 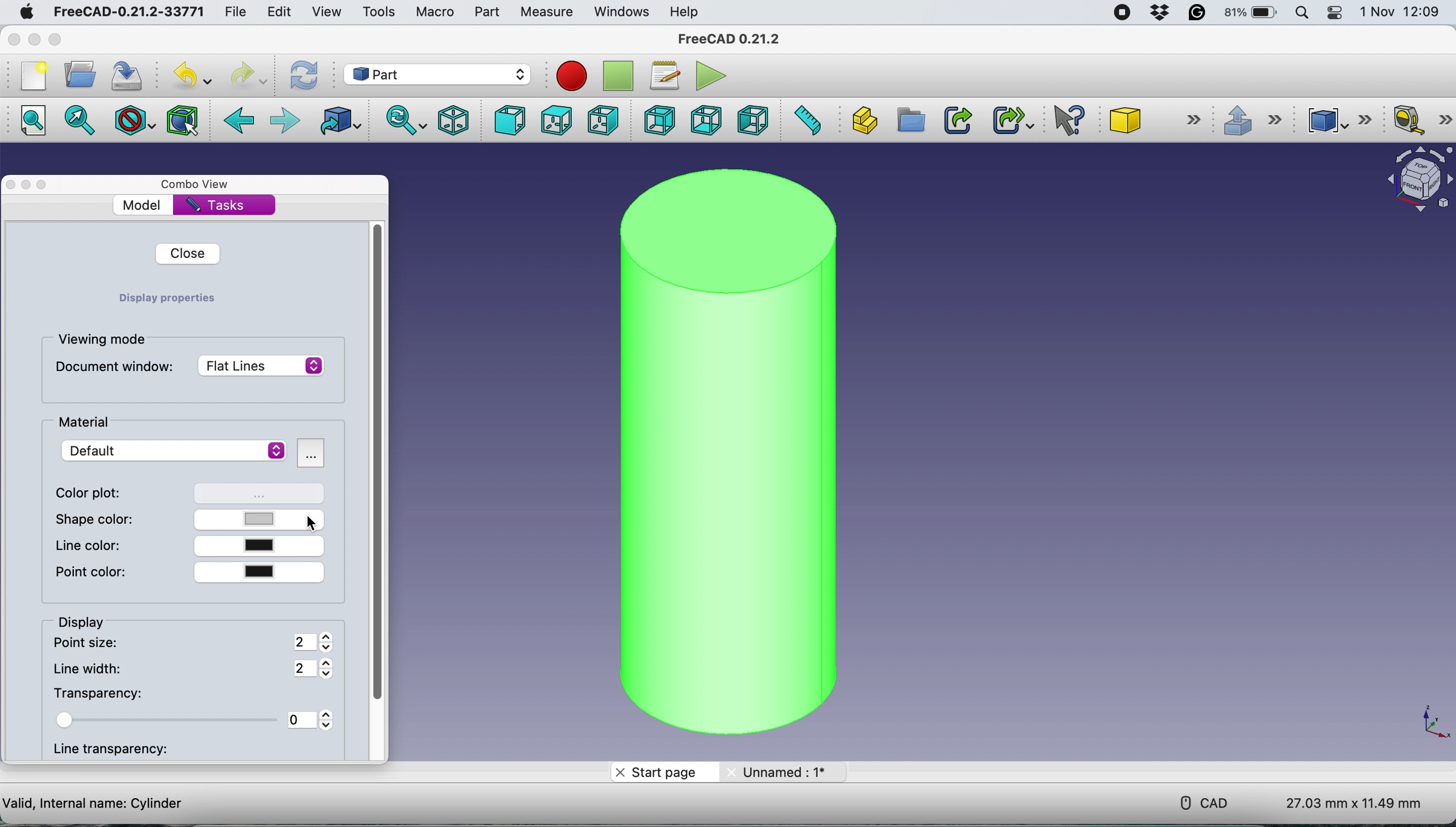 I want to click on bottom, so click(x=704, y=120).